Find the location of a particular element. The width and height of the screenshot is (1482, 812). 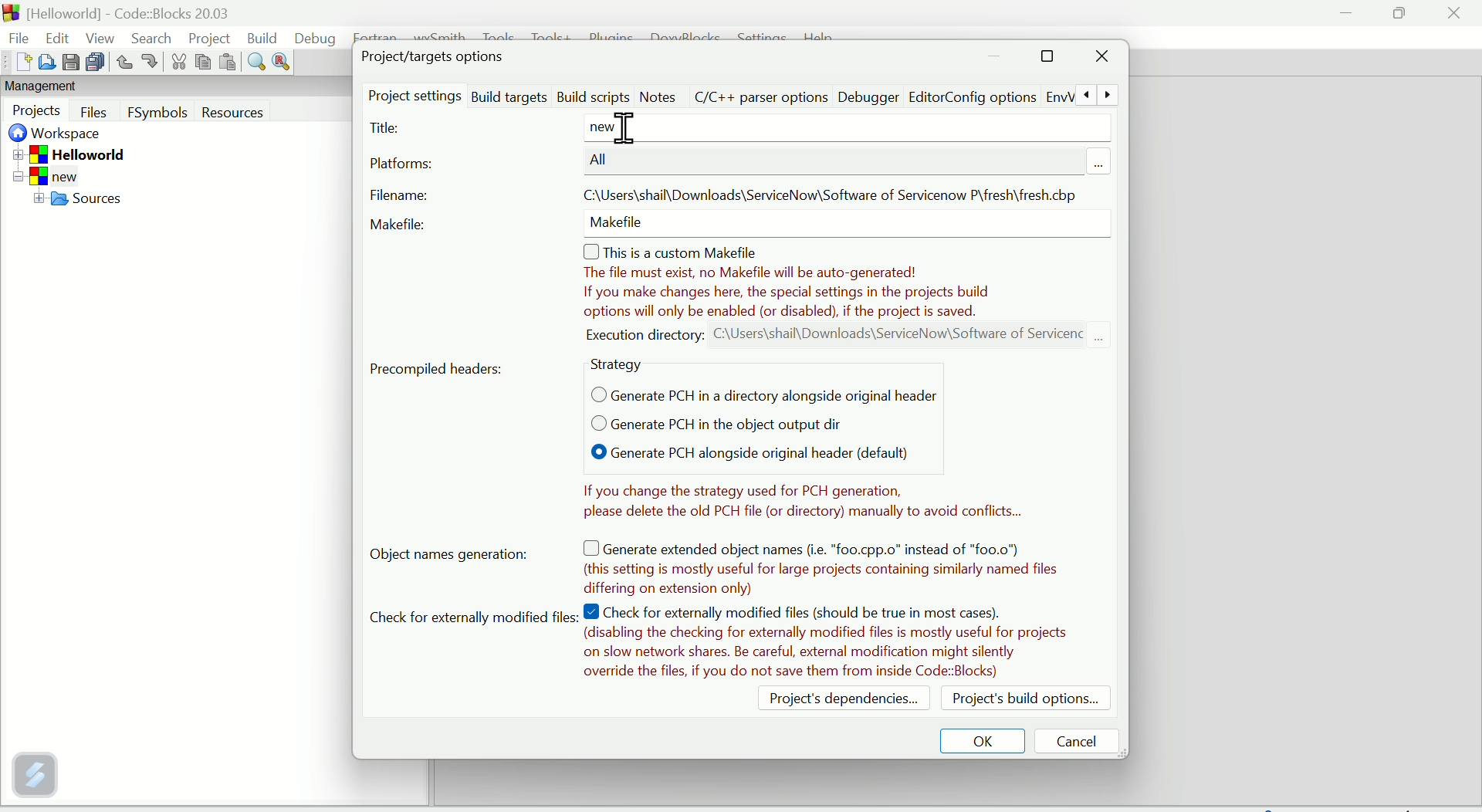

Strategy is located at coordinates (621, 365).